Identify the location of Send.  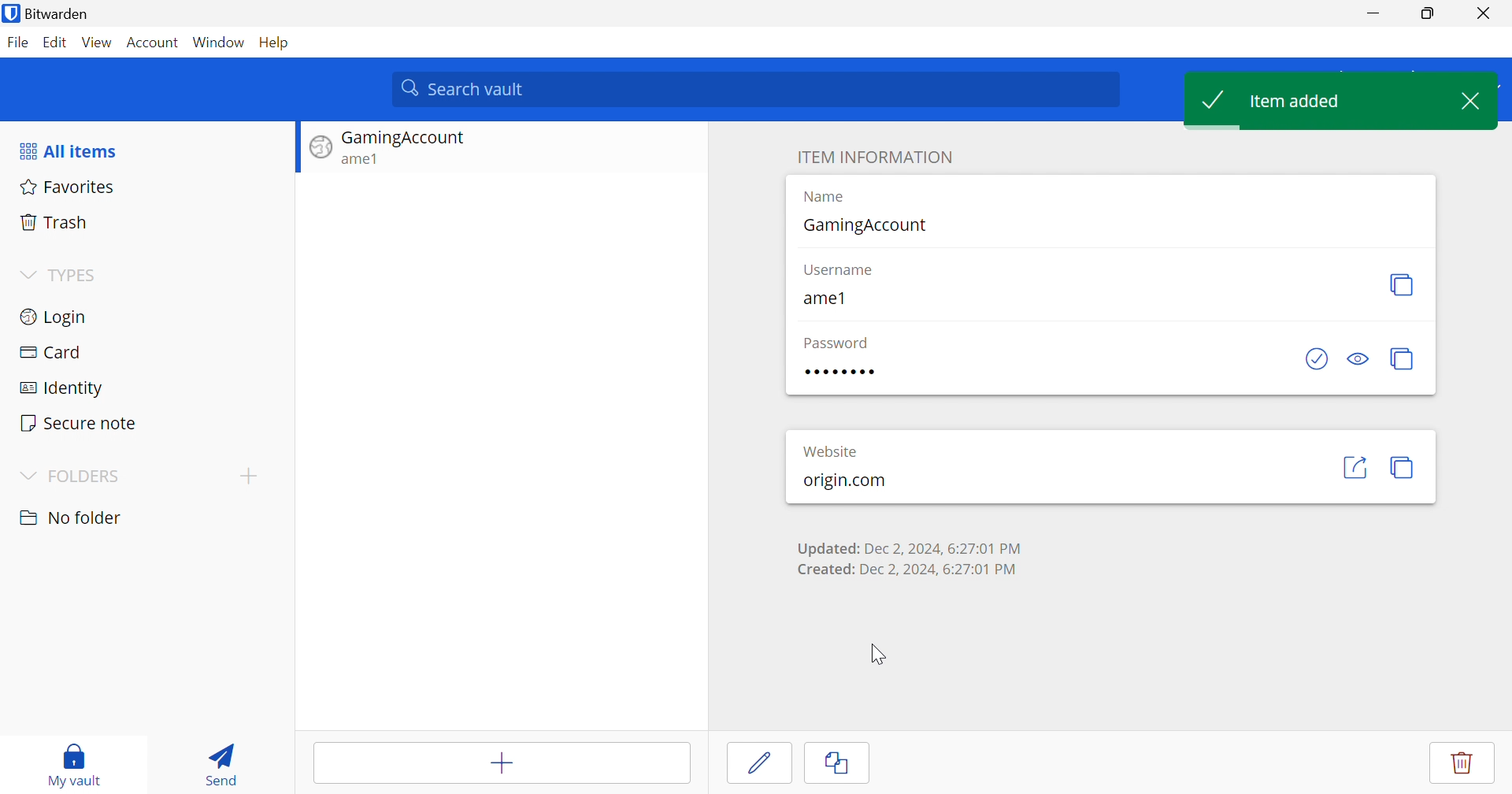
(220, 762).